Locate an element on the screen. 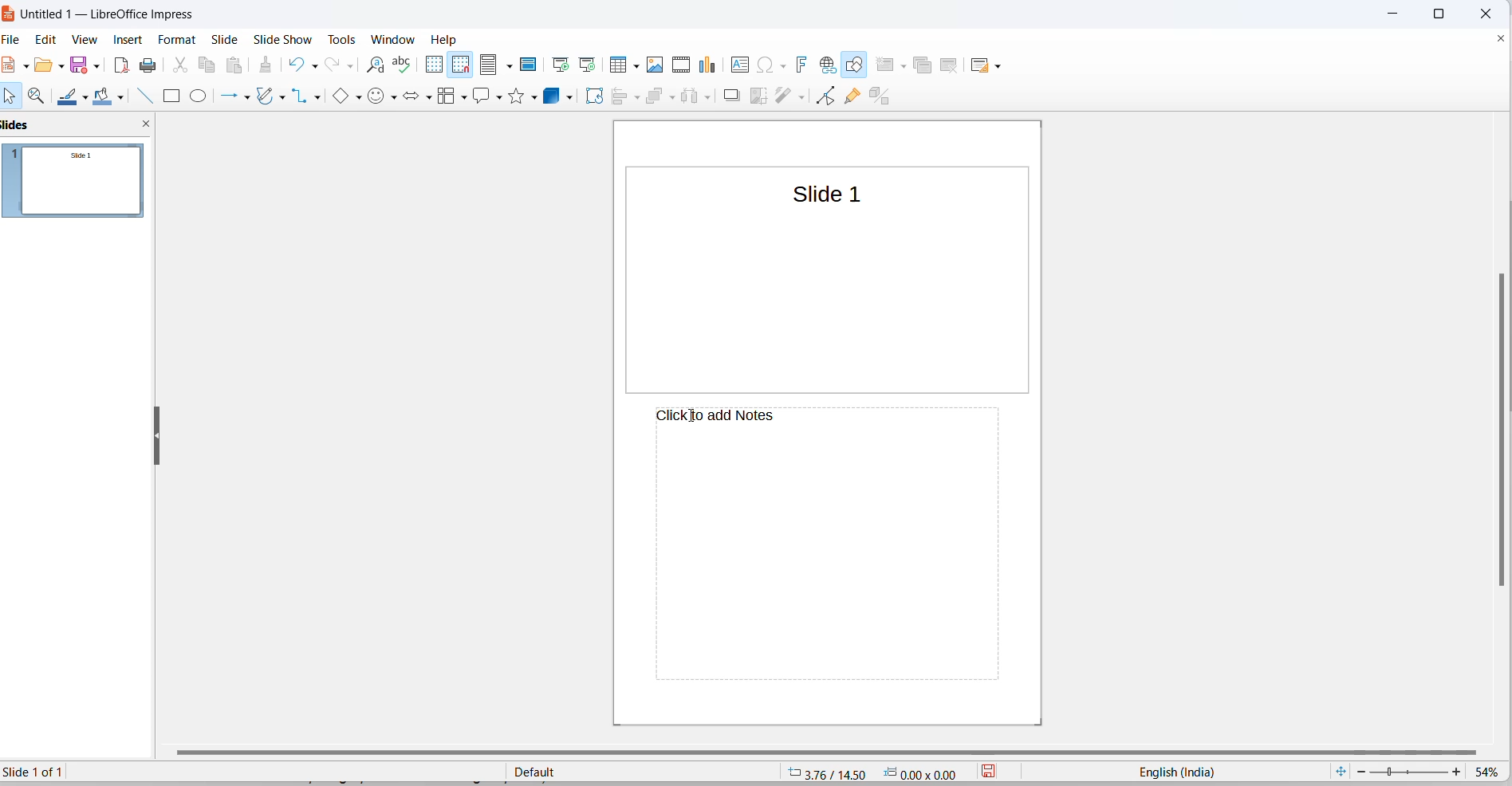  view is located at coordinates (86, 41).